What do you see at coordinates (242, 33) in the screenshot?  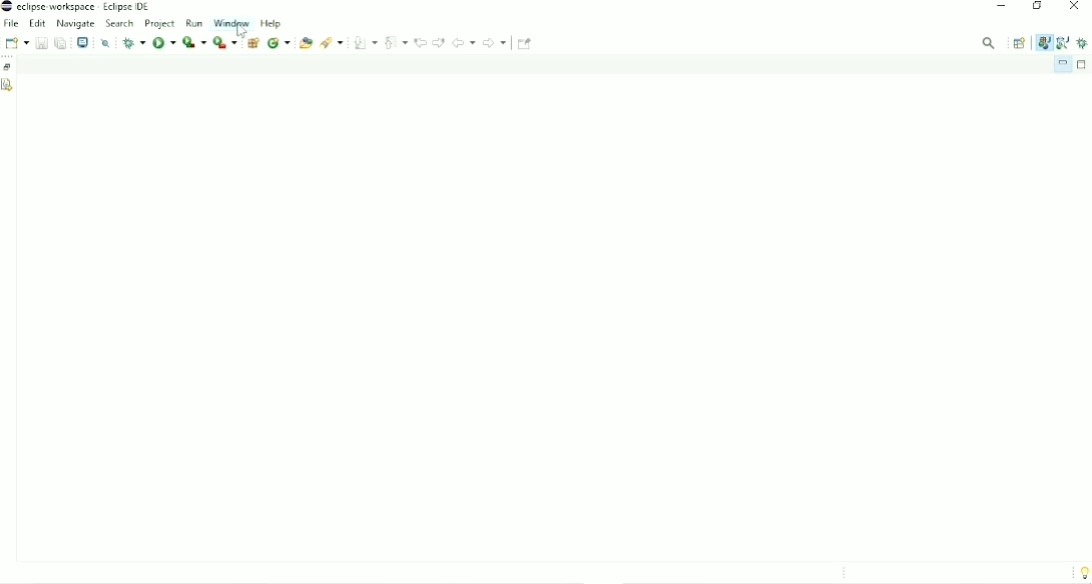 I see `Cursor` at bounding box center [242, 33].